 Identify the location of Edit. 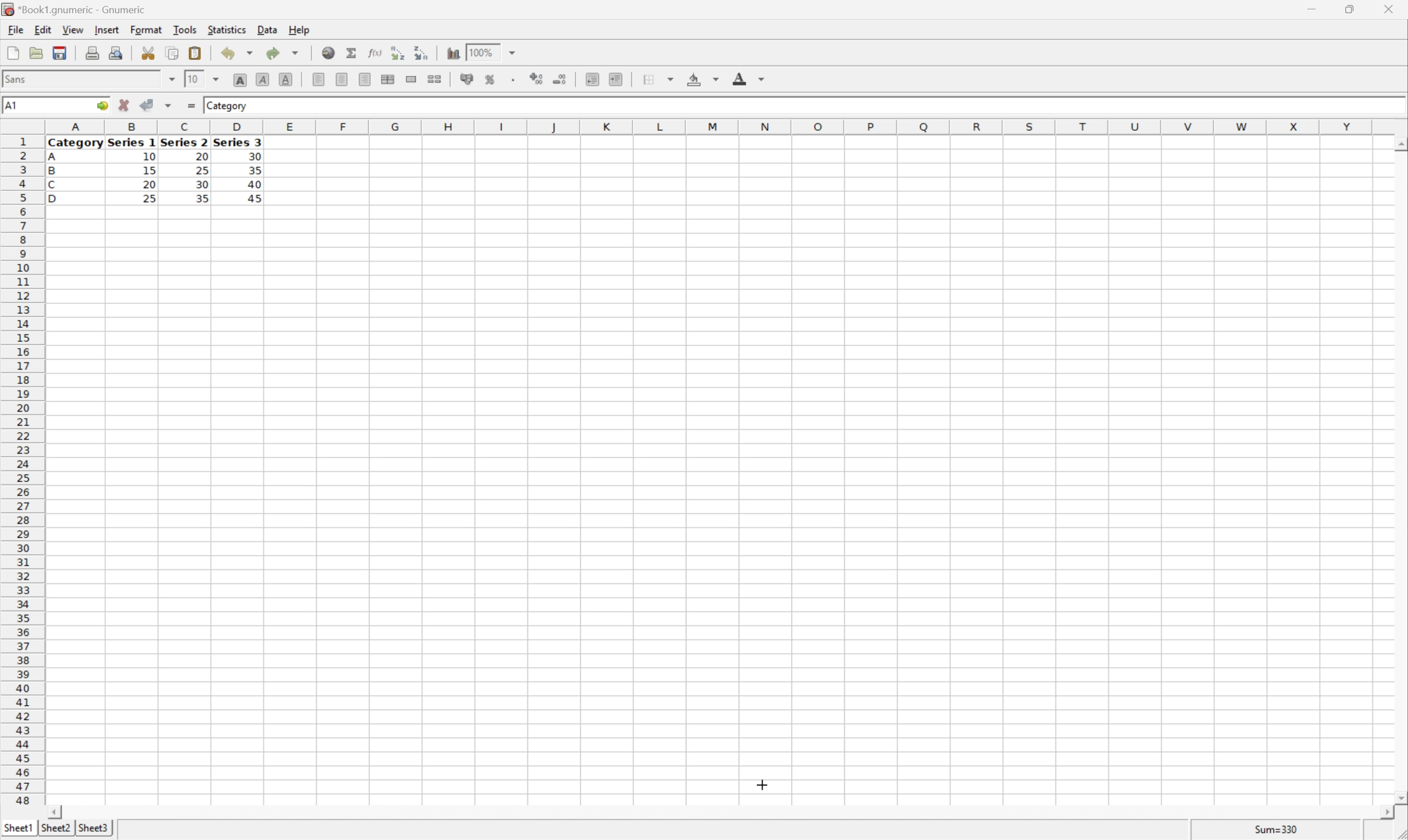
(43, 29).